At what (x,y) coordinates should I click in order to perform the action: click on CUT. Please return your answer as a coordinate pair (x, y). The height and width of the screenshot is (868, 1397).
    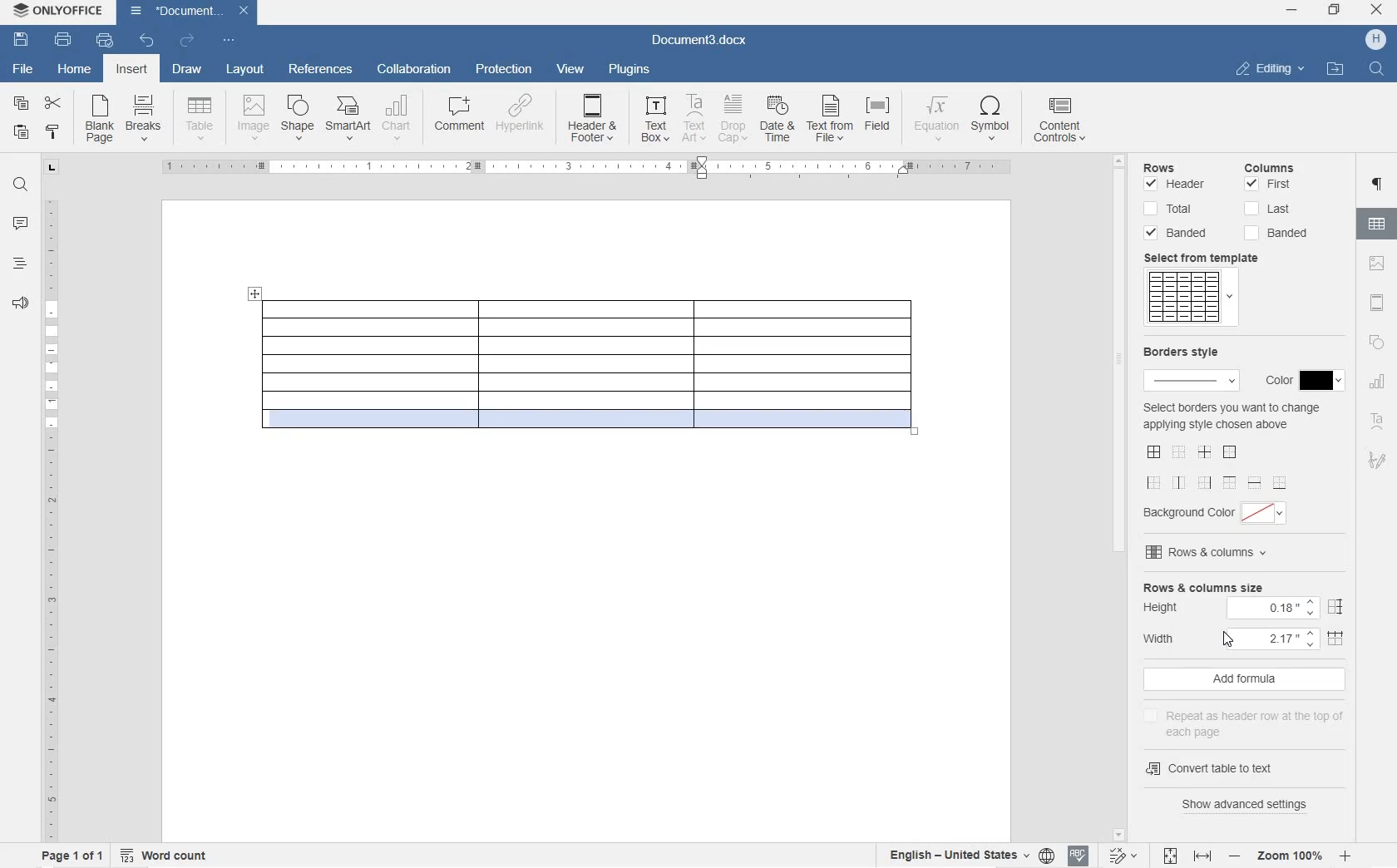
    Looking at the image, I should click on (52, 104).